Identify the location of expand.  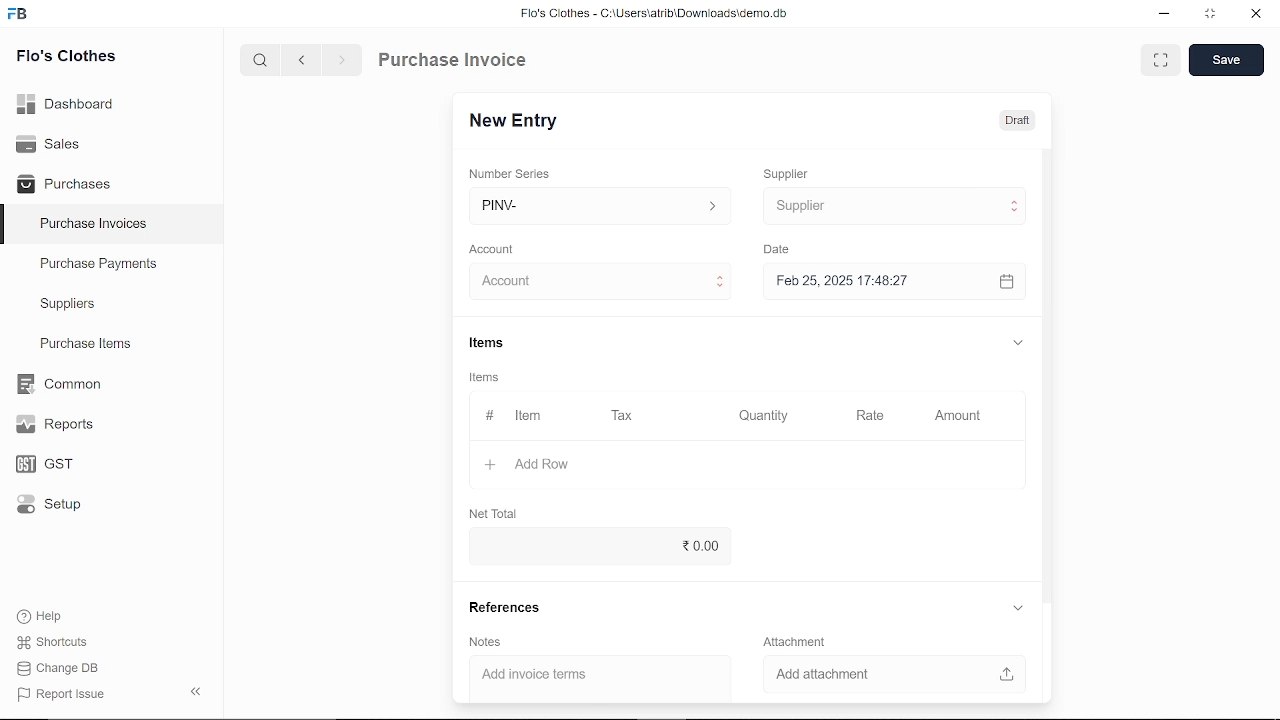
(1017, 607).